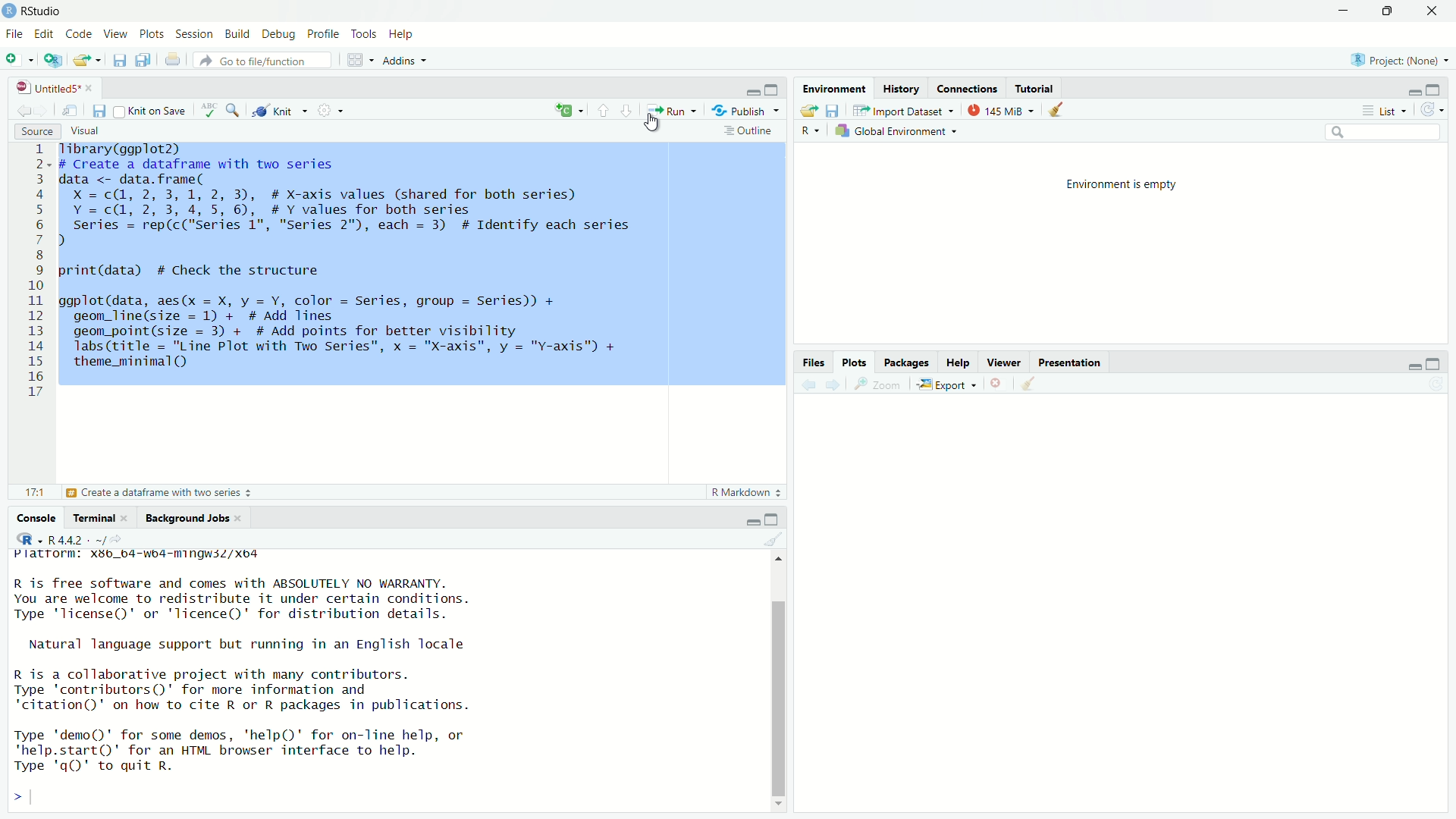 This screenshot has height=819, width=1456. Describe the element at coordinates (833, 384) in the screenshot. I see `Go forward to the next source selection` at that location.